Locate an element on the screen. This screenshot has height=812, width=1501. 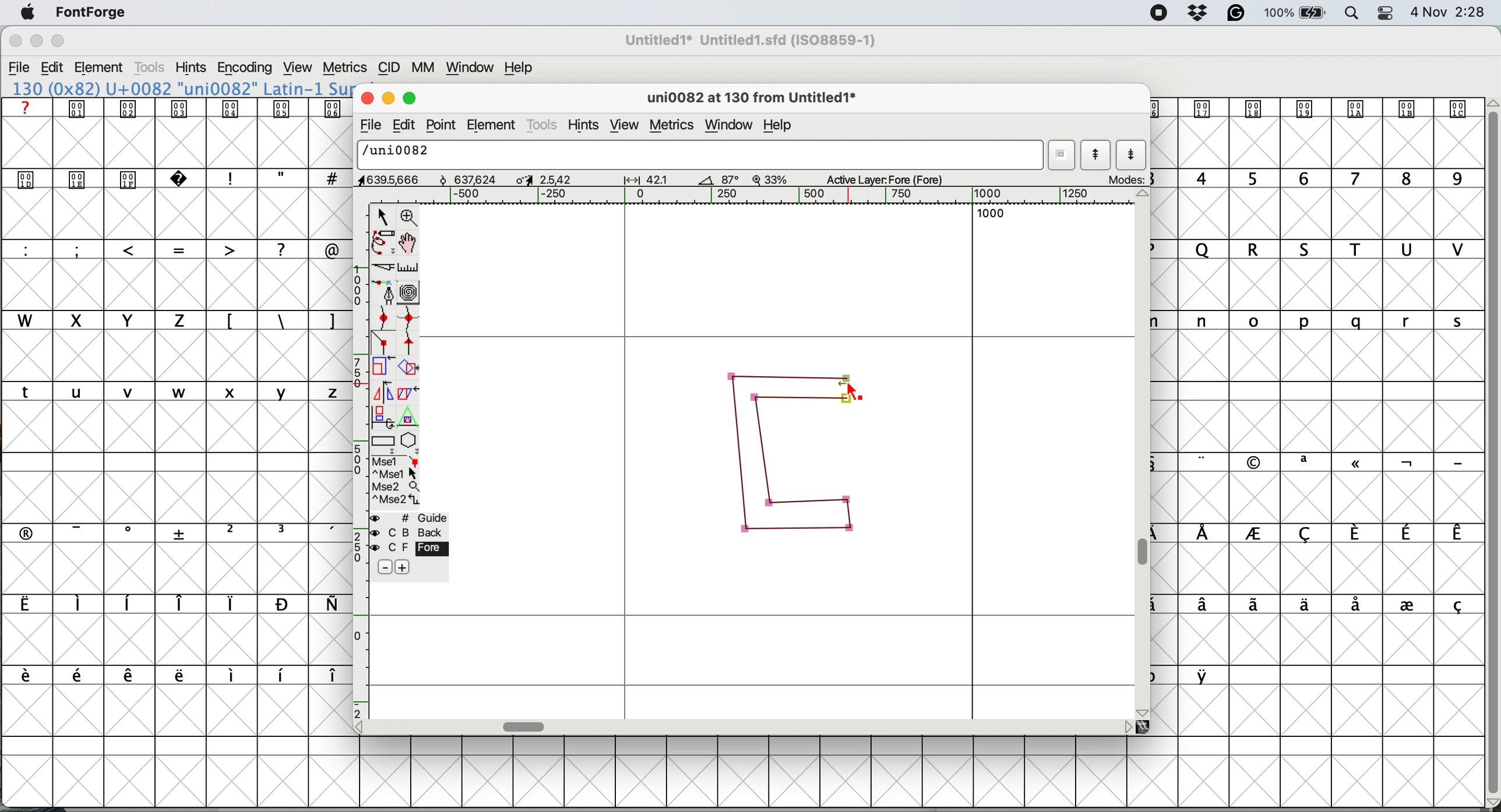
corner points connected is located at coordinates (799, 401).